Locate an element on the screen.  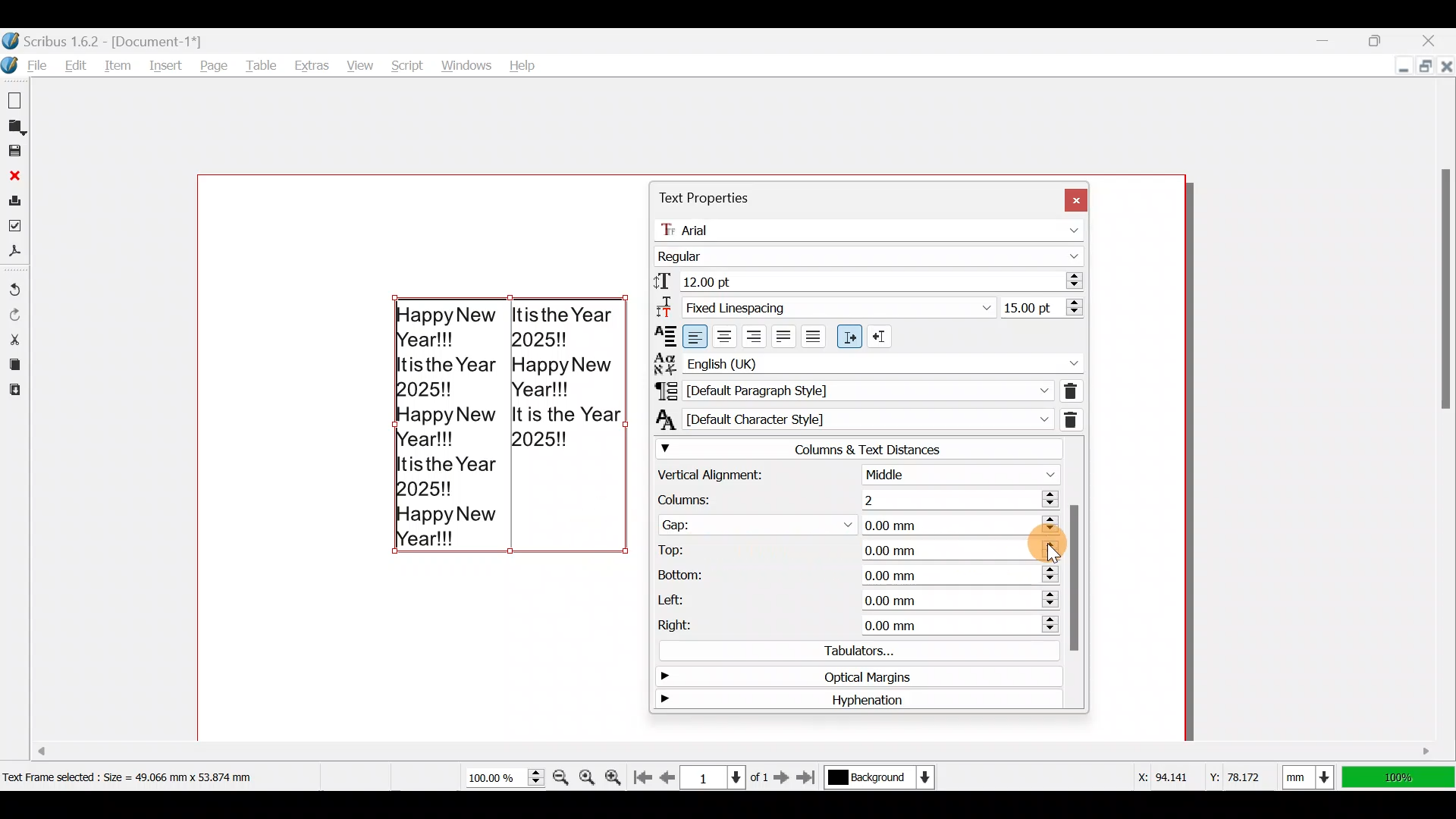
100% zoom ratio is located at coordinates (1401, 777).